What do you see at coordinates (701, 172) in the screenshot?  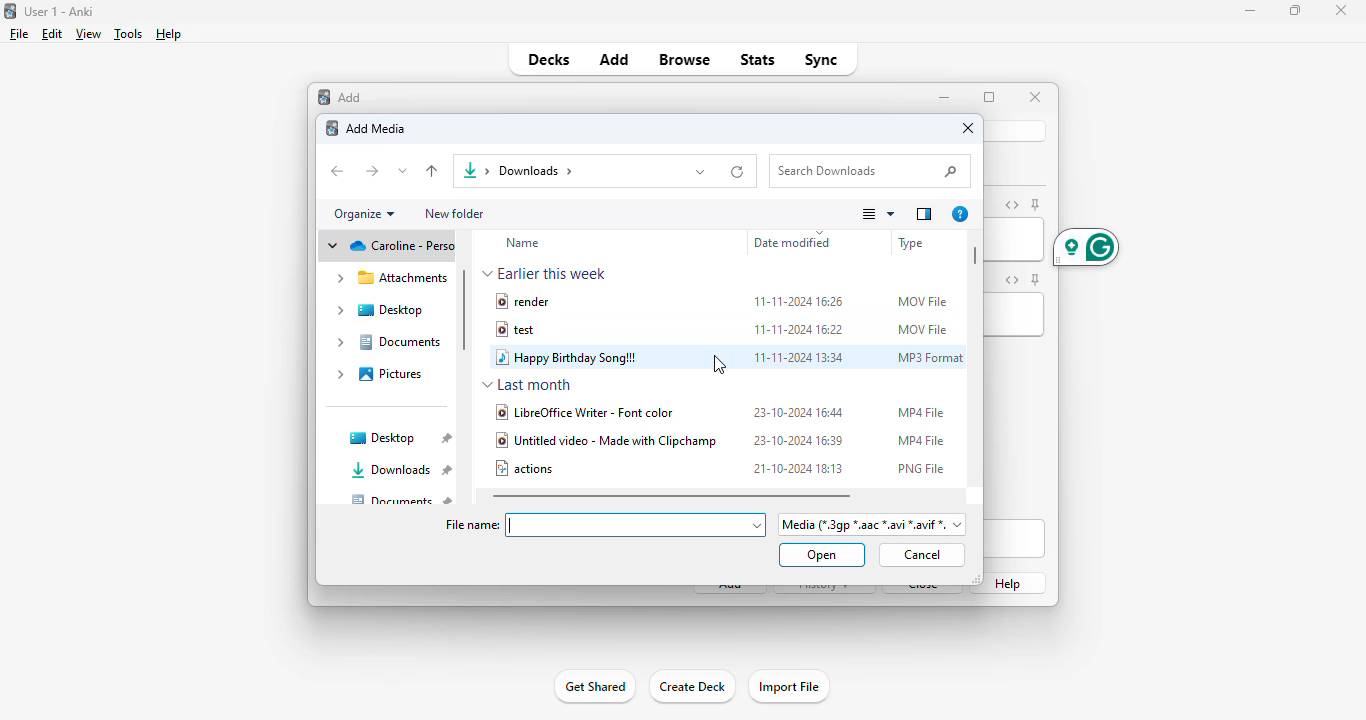 I see `previous locations` at bounding box center [701, 172].